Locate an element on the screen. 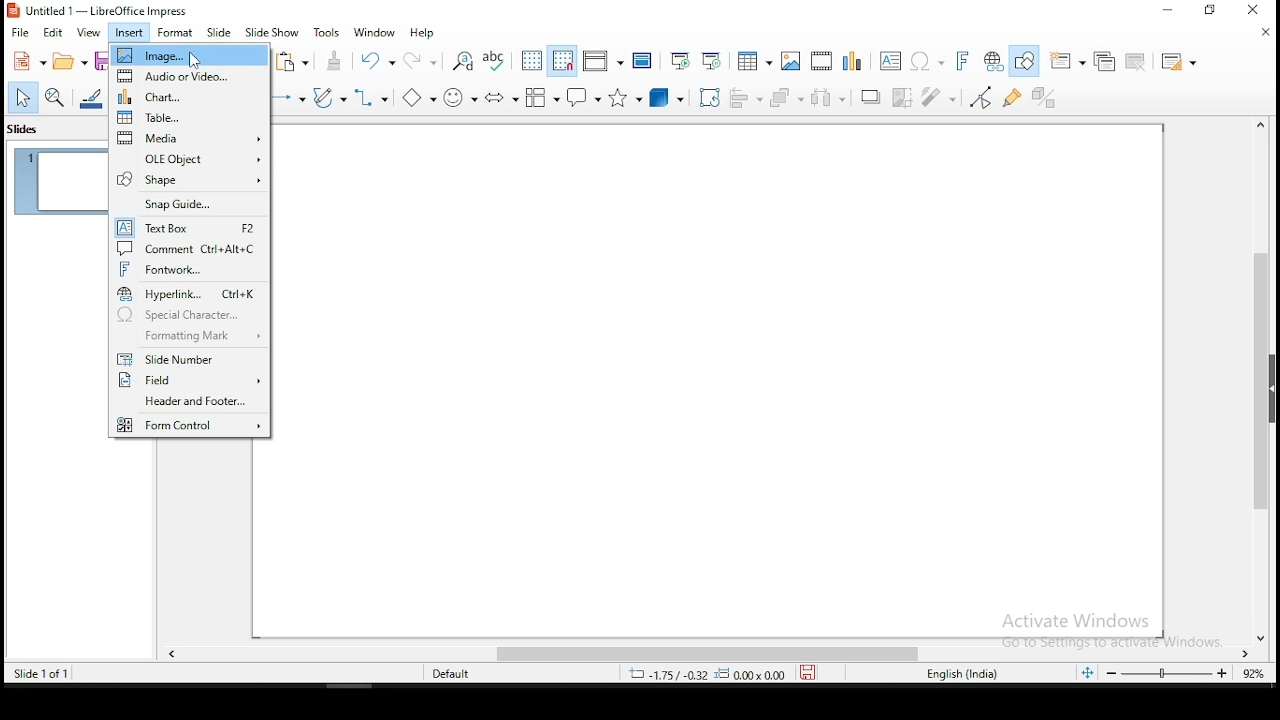  delete slide is located at coordinates (1139, 62).